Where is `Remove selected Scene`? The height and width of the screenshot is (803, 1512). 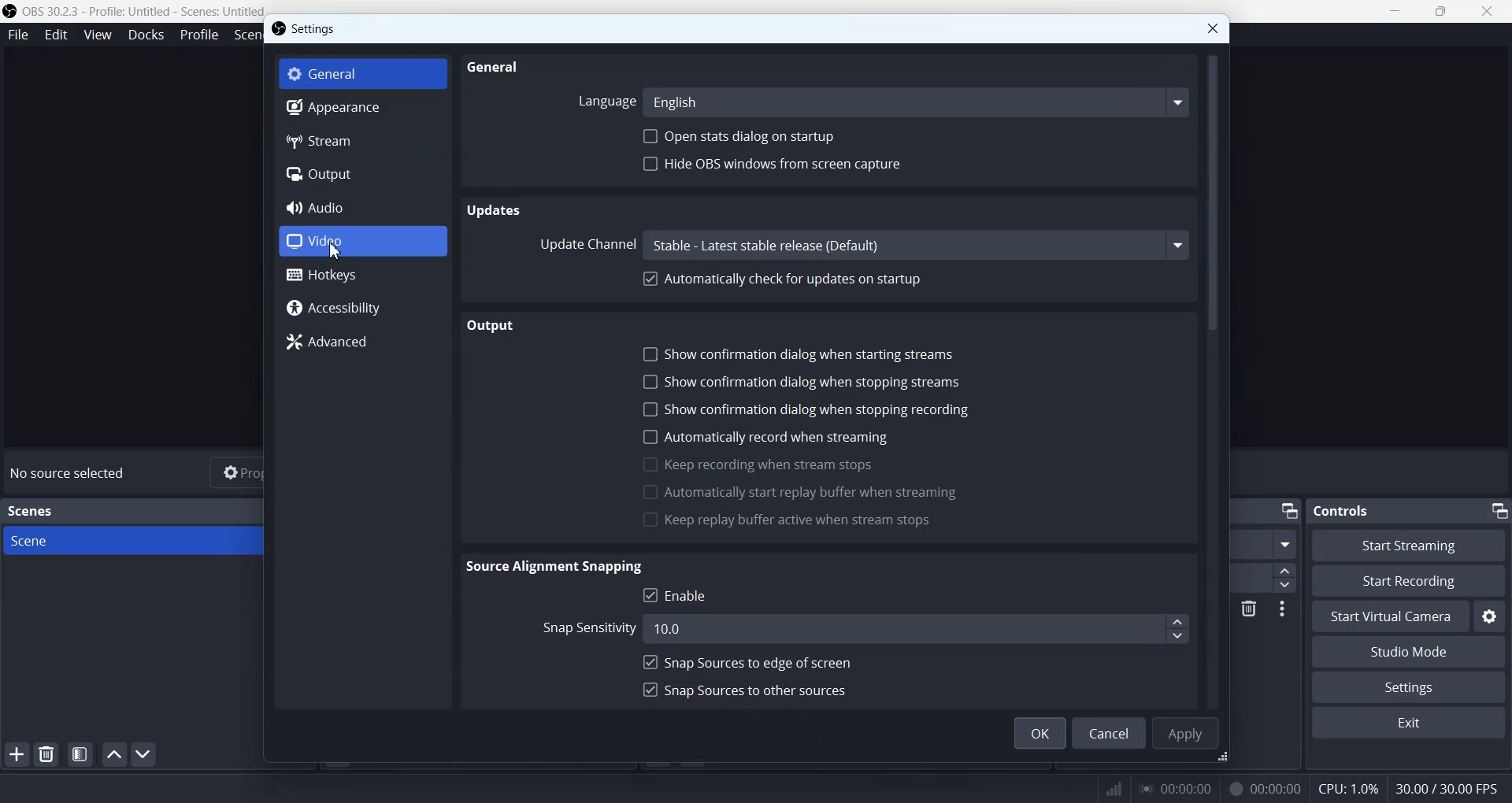
Remove selected Scene is located at coordinates (47, 754).